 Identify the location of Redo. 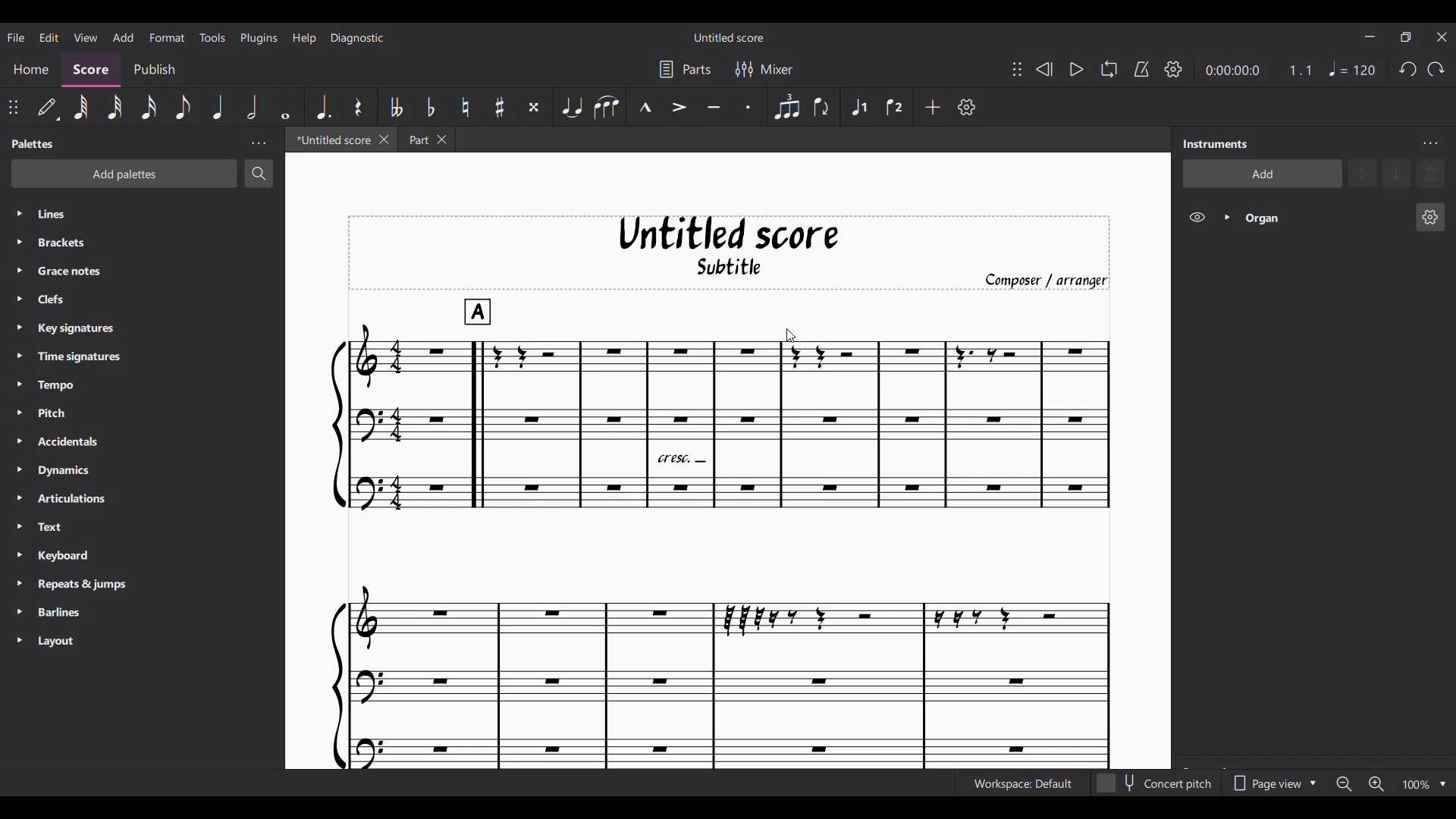
(1436, 69).